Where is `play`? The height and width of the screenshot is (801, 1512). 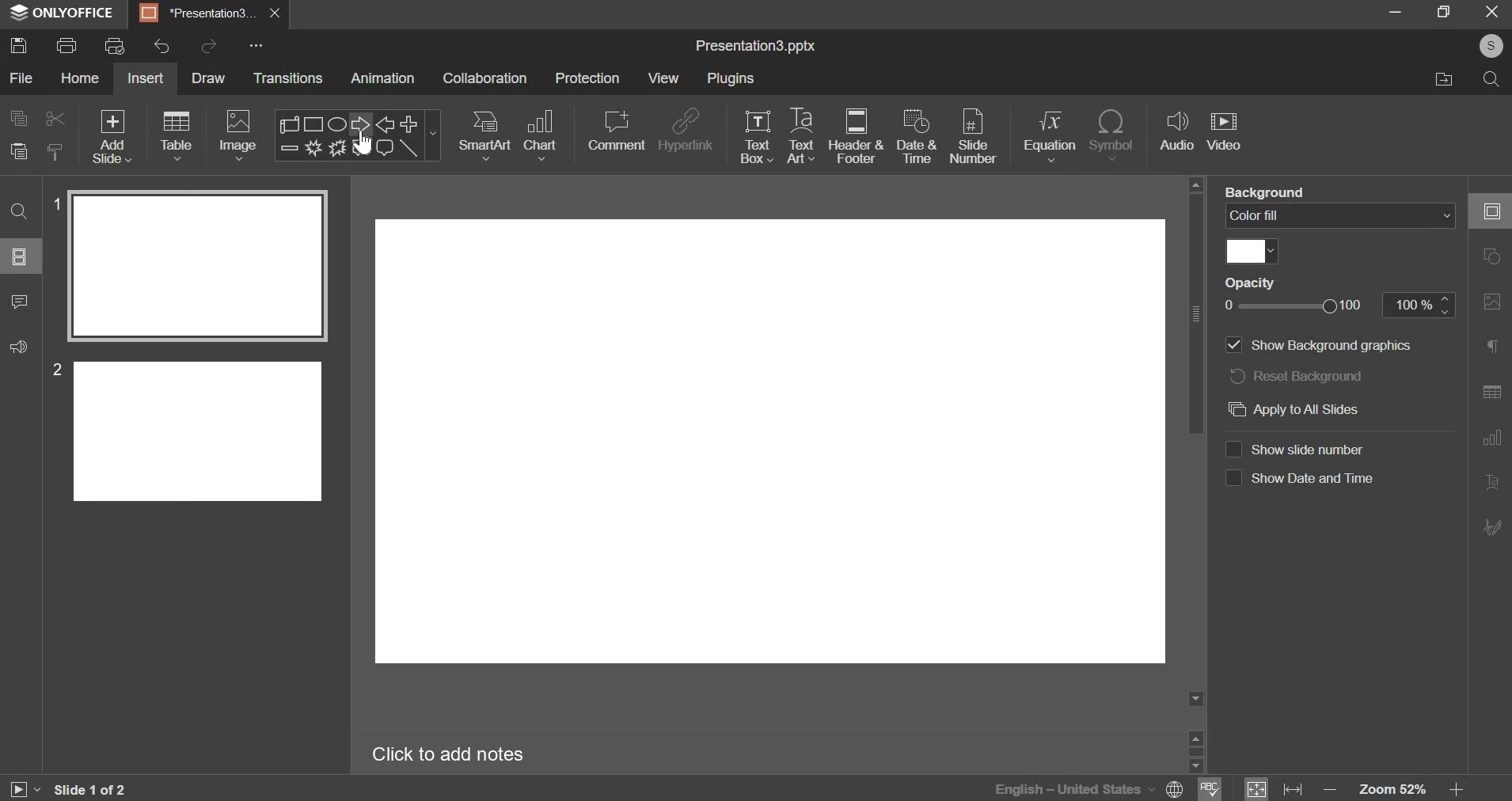
play is located at coordinates (24, 790).